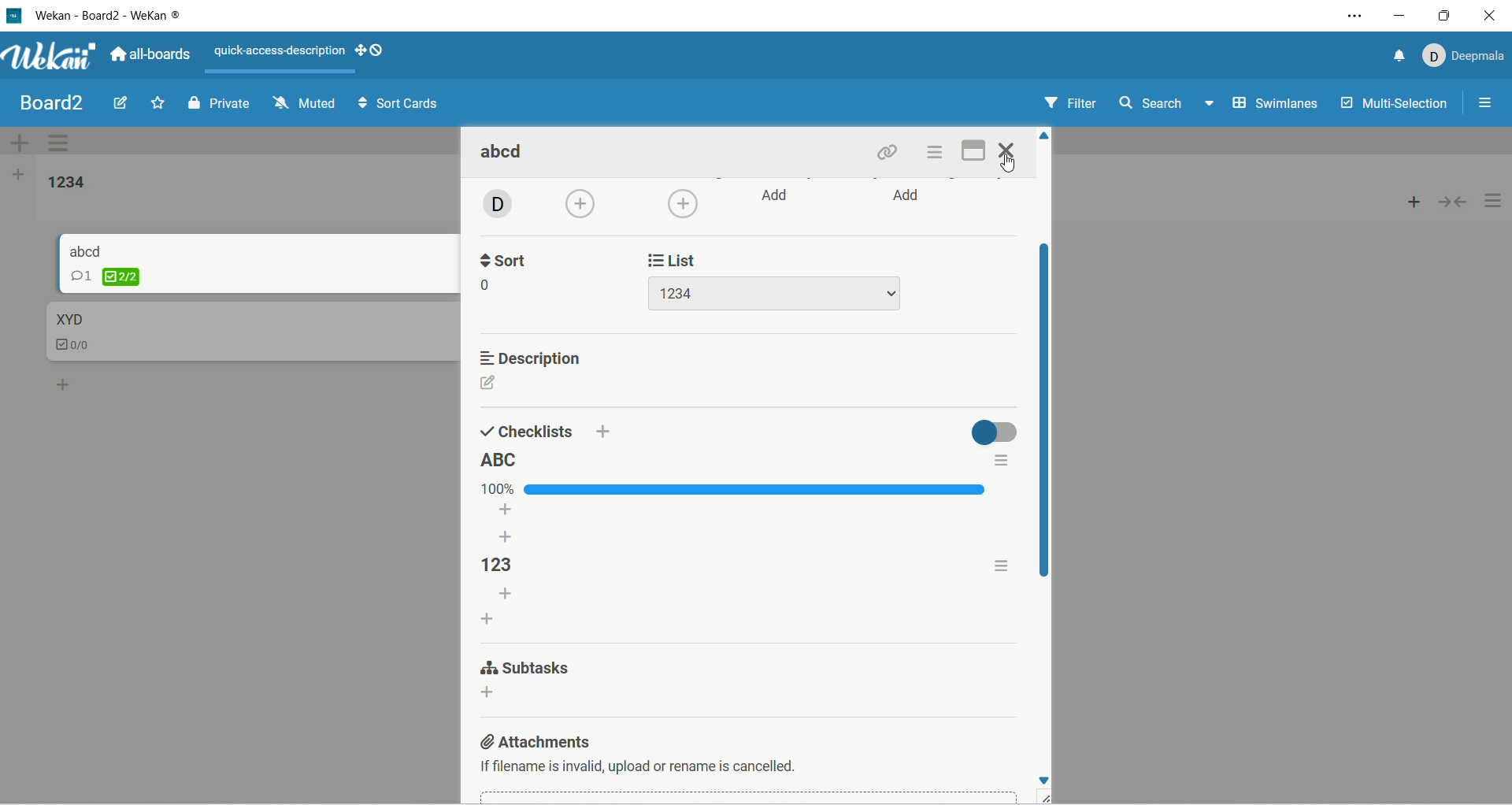  I want to click on add, so click(65, 384).